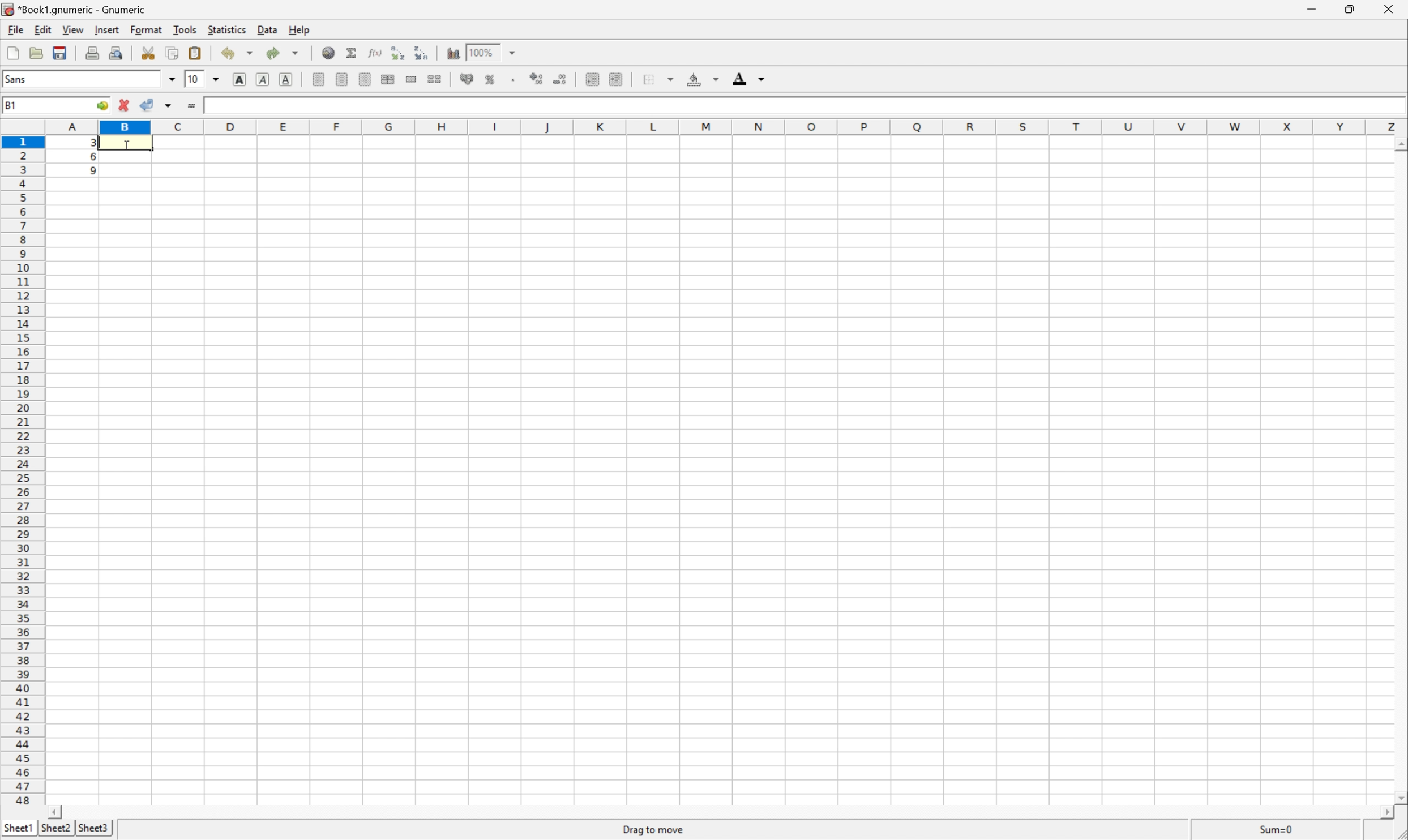 The width and height of the screenshot is (1408, 840). Describe the element at coordinates (1350, 9) in the screenshot. I see `Restore Down` at that location.